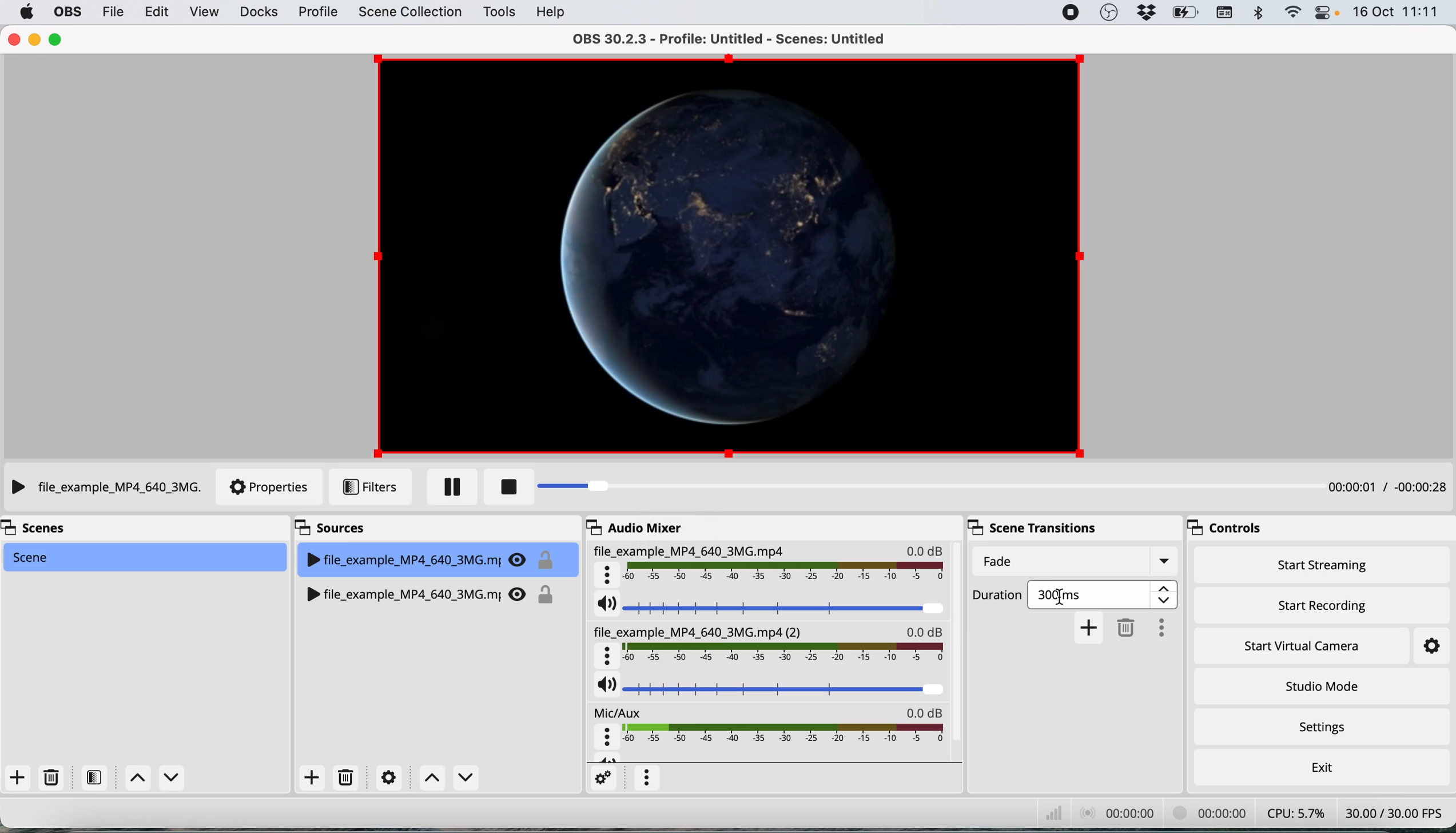 The height and width of the screenshot is (833, 1456). Describe the element at coordinates (155, 777) in the screenshot. I see `switch between scenes` at that location.